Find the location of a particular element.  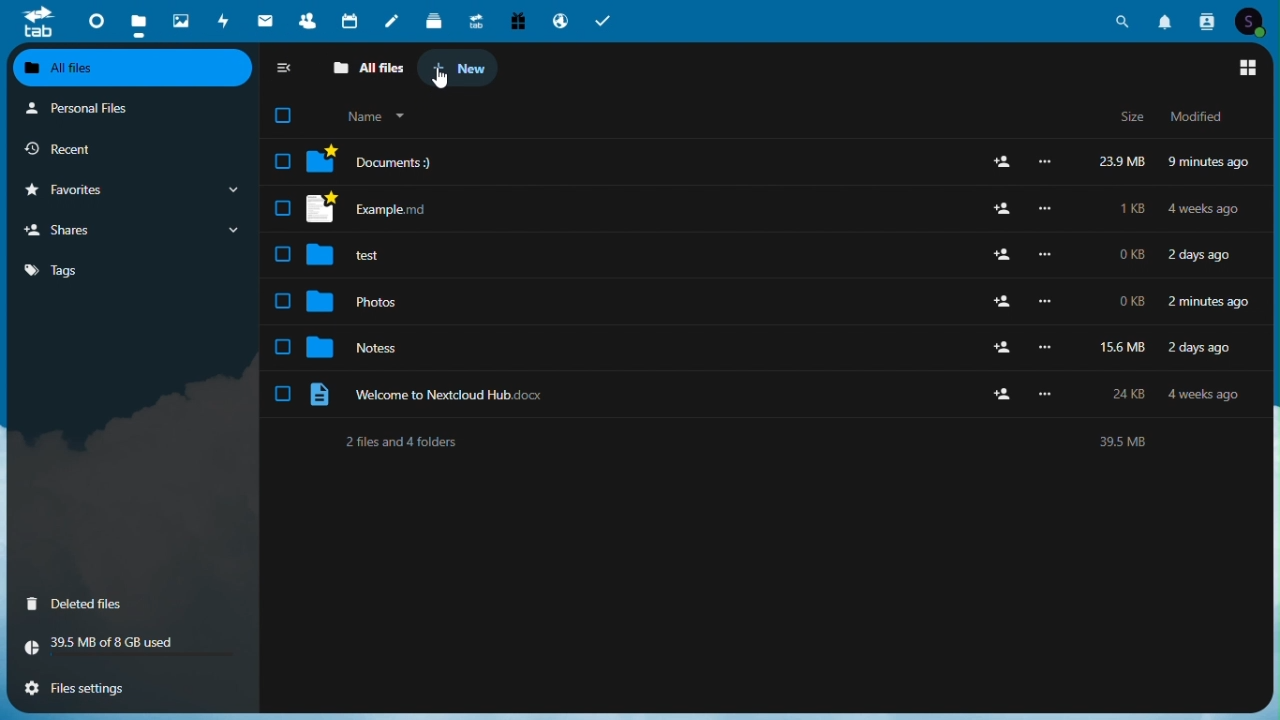

account icon is located at coordinates (1255, 20).